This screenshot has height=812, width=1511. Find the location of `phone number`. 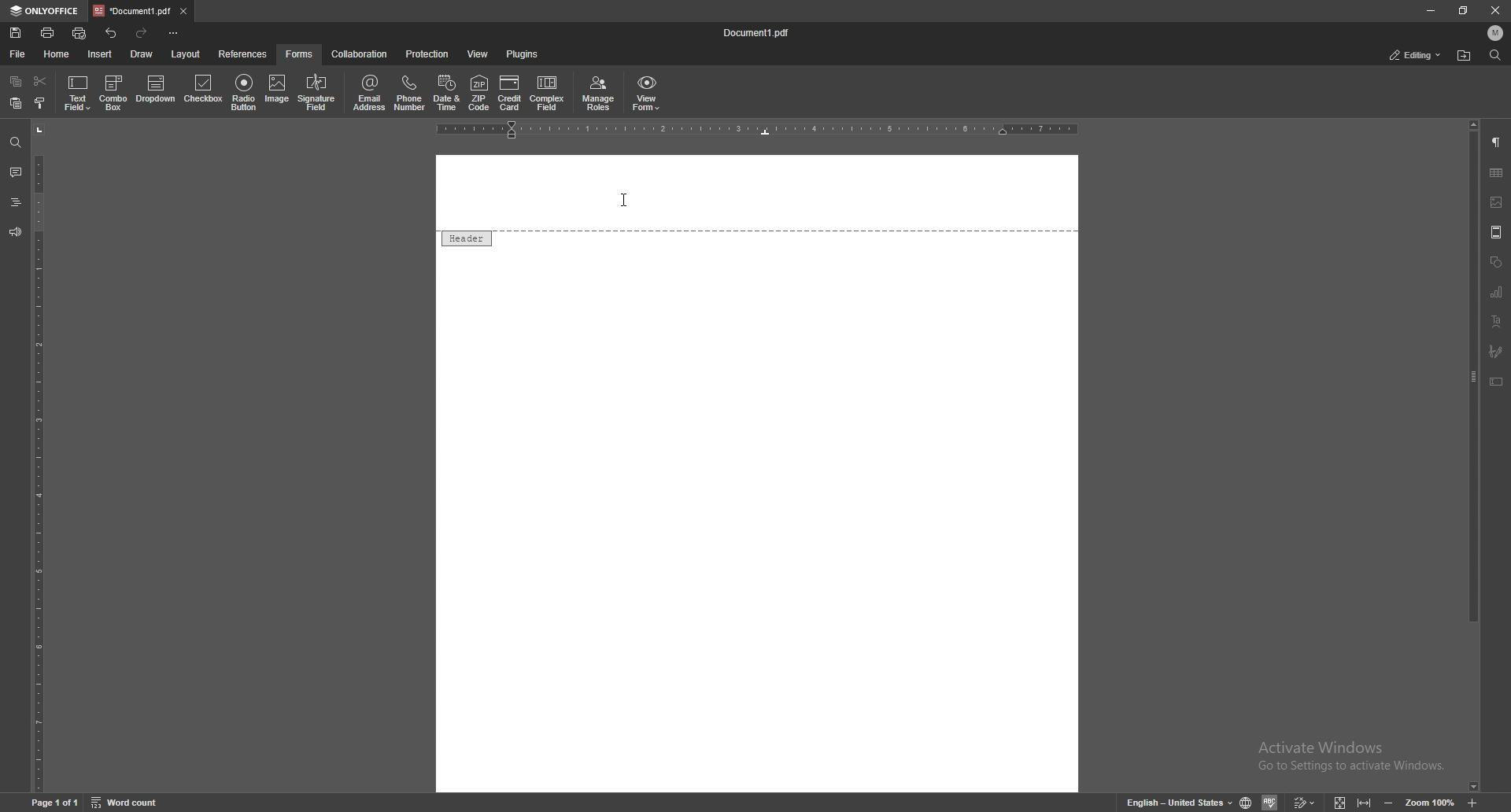

phone number is located at coordinates (409, 93).